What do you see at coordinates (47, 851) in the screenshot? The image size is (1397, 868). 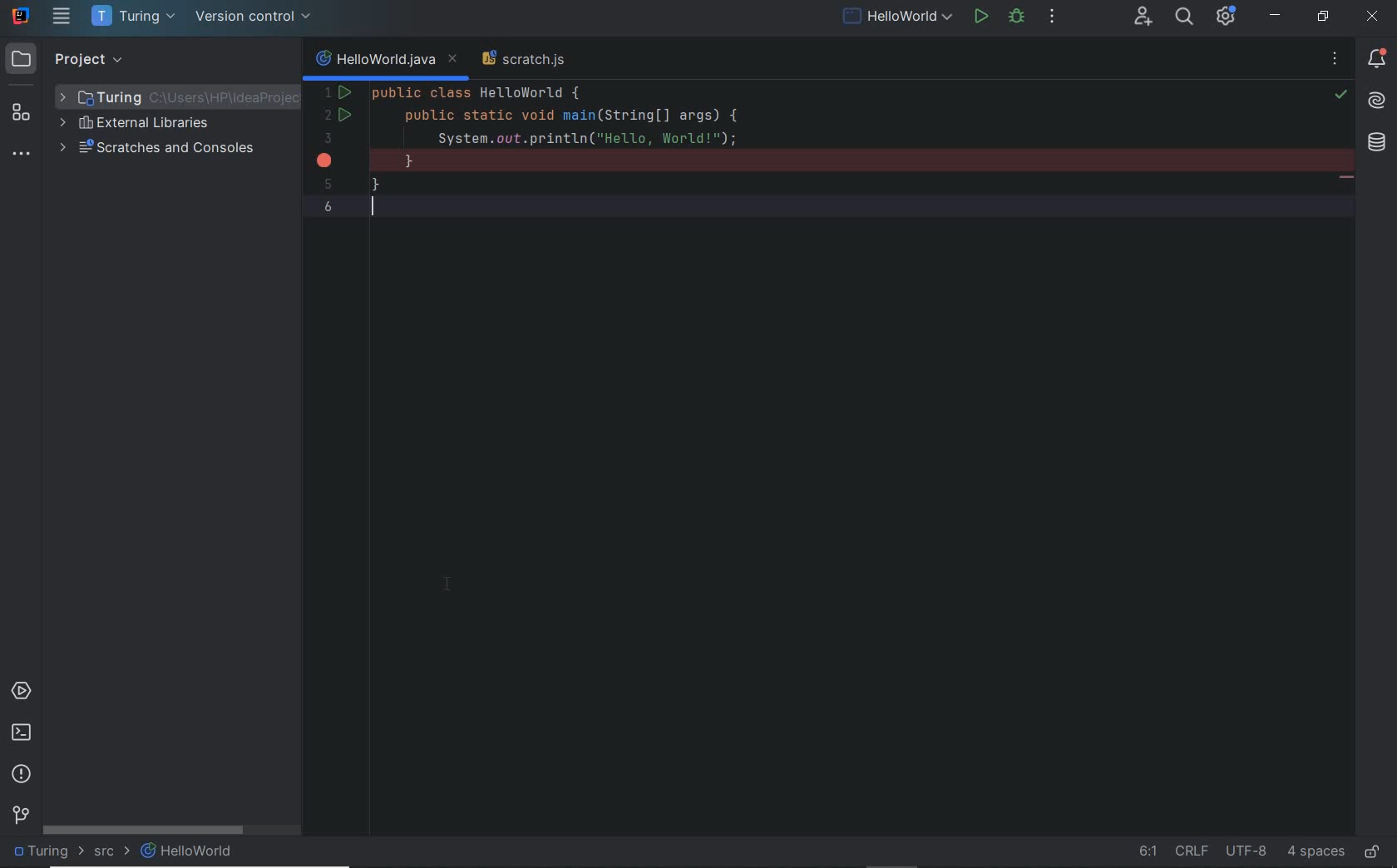 I see `project name` at bounding box center [47, 851].